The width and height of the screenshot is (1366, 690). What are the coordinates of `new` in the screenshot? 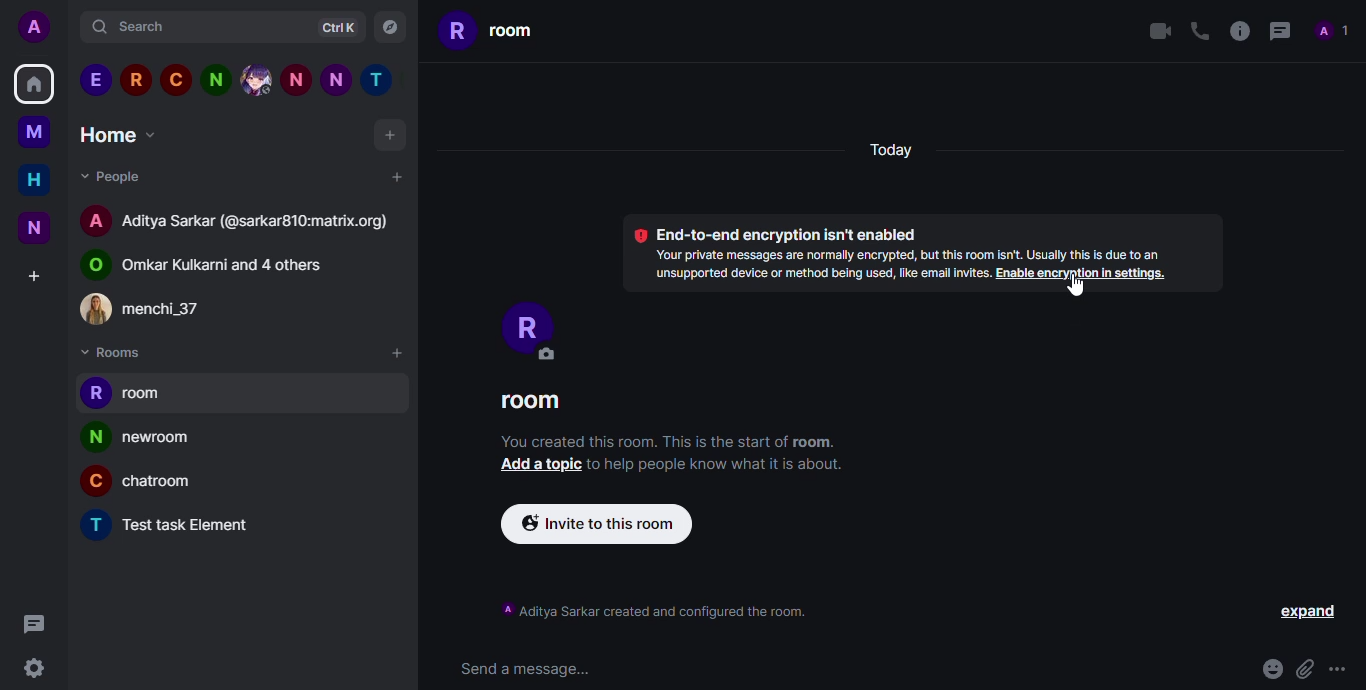 It's located at (34, 227).